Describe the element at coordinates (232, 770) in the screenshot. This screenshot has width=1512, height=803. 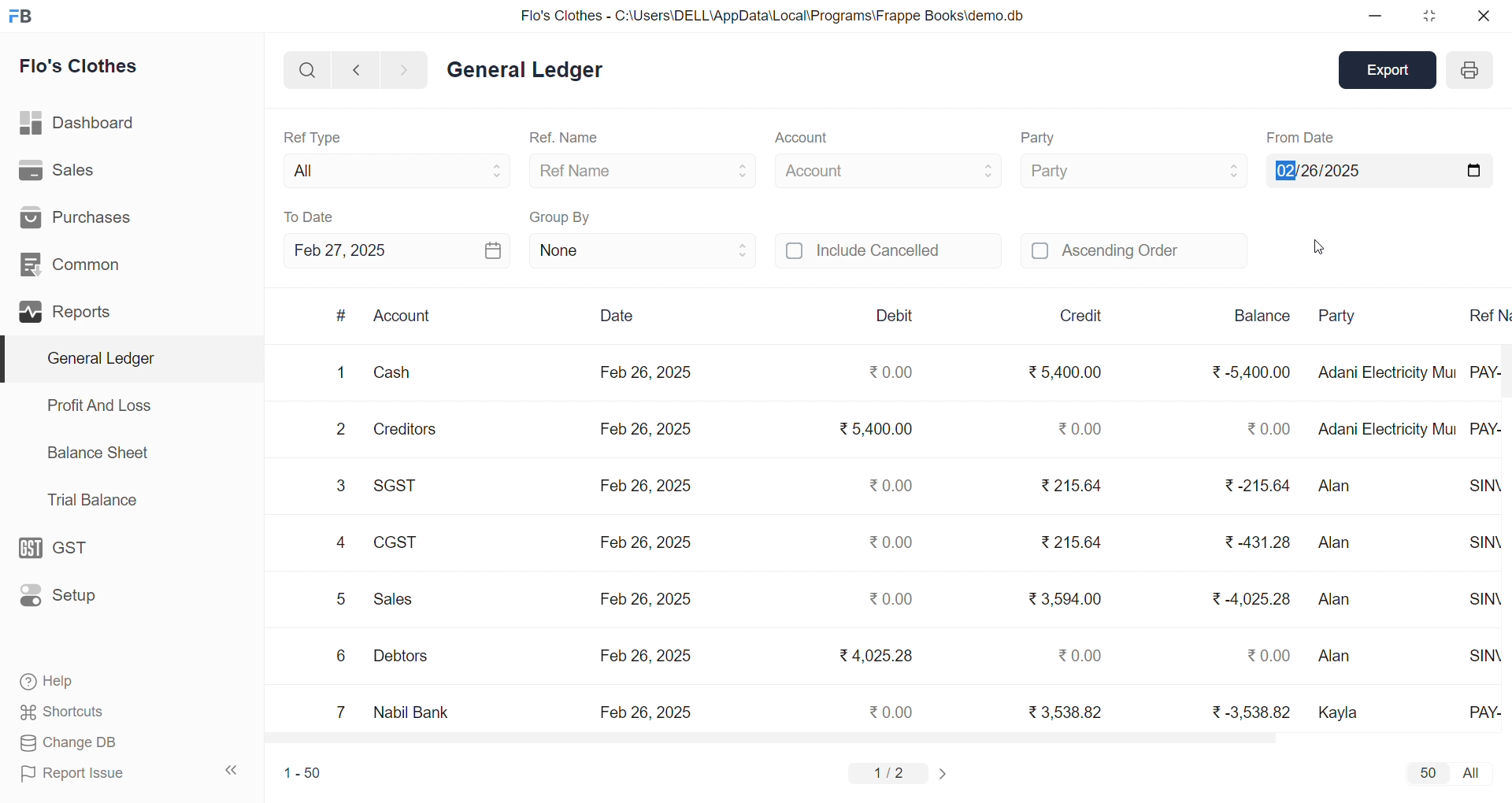
I see `COLLAPSE SIDE BAR` at that location.